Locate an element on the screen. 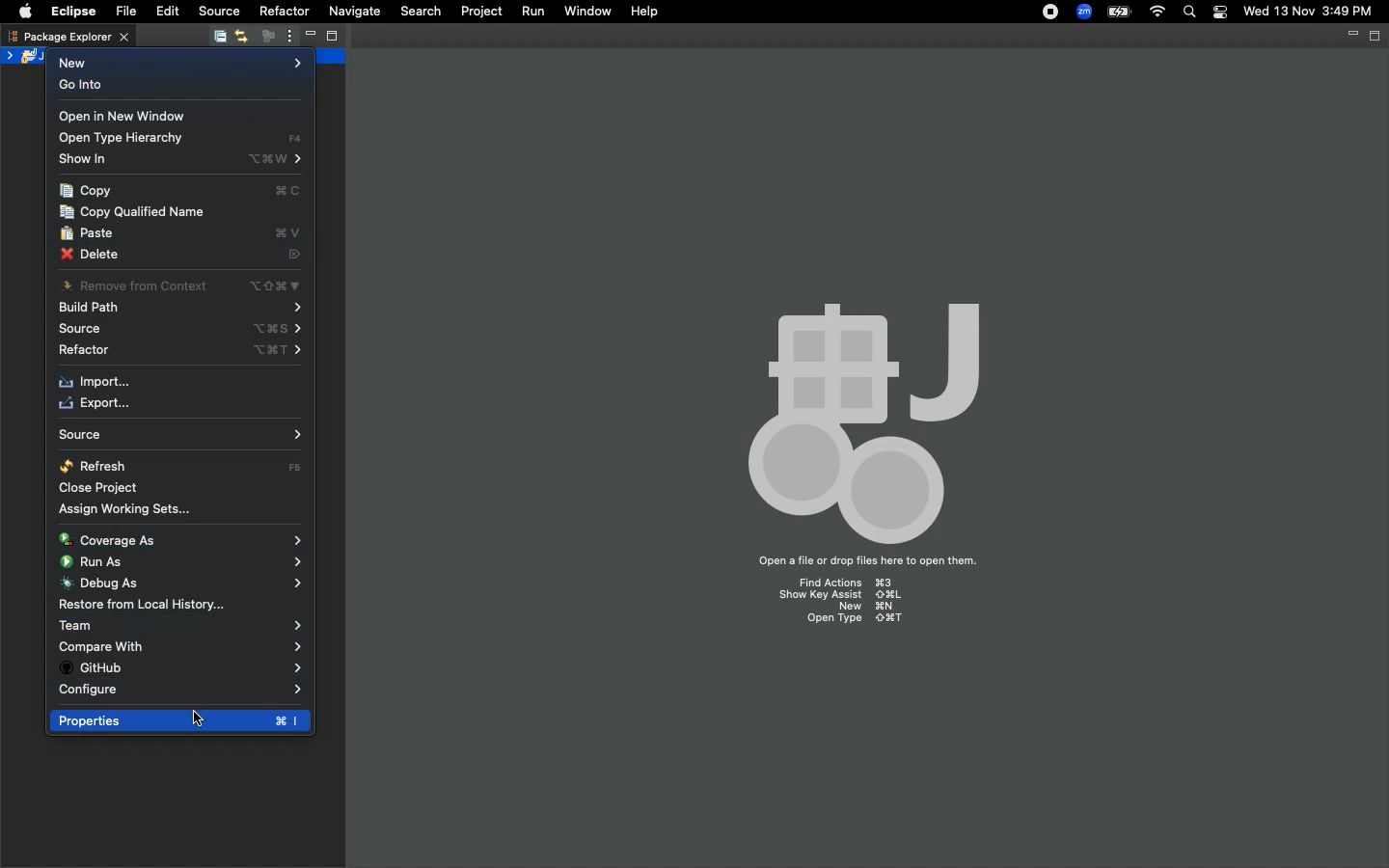 The image size is (1389, 868).  is located at coordinates (205, 724).